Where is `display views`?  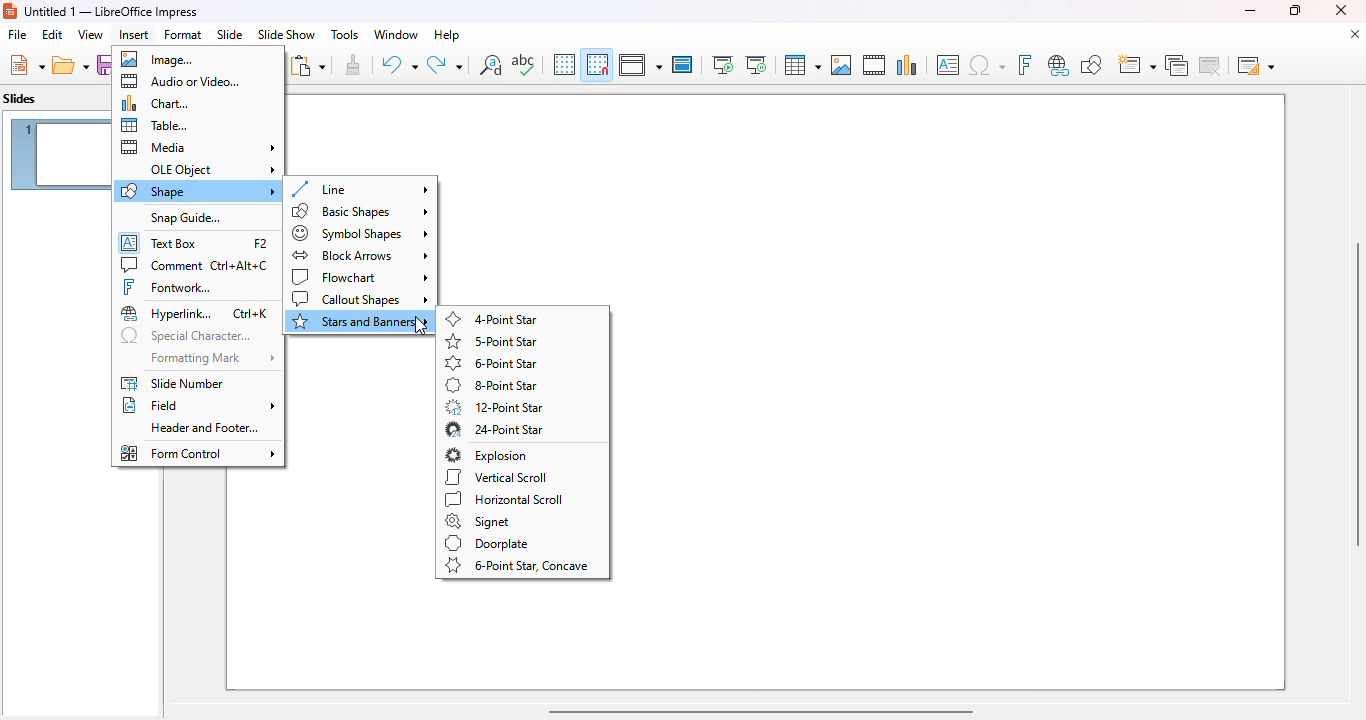 display views is located at coordinates (640, 65).